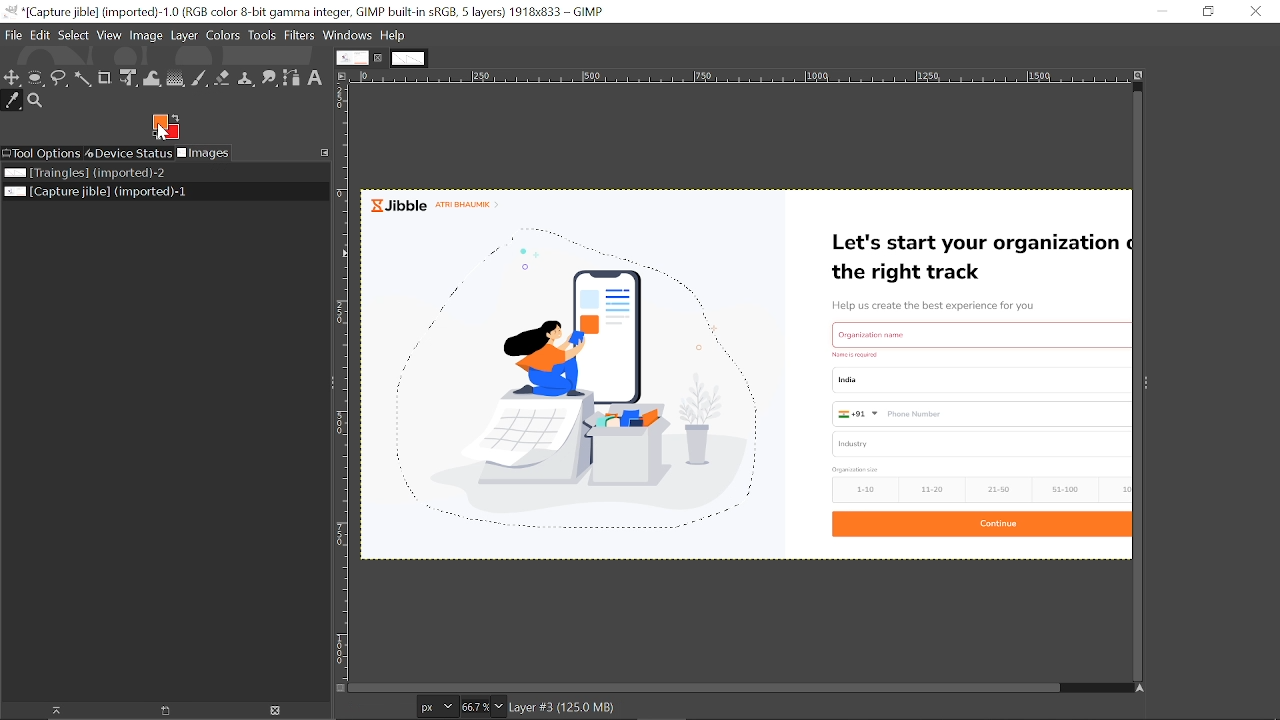  What do you see at coordinates (348, 36) in the screenshot?
I see `Windows` at bounding box center [348, 36].